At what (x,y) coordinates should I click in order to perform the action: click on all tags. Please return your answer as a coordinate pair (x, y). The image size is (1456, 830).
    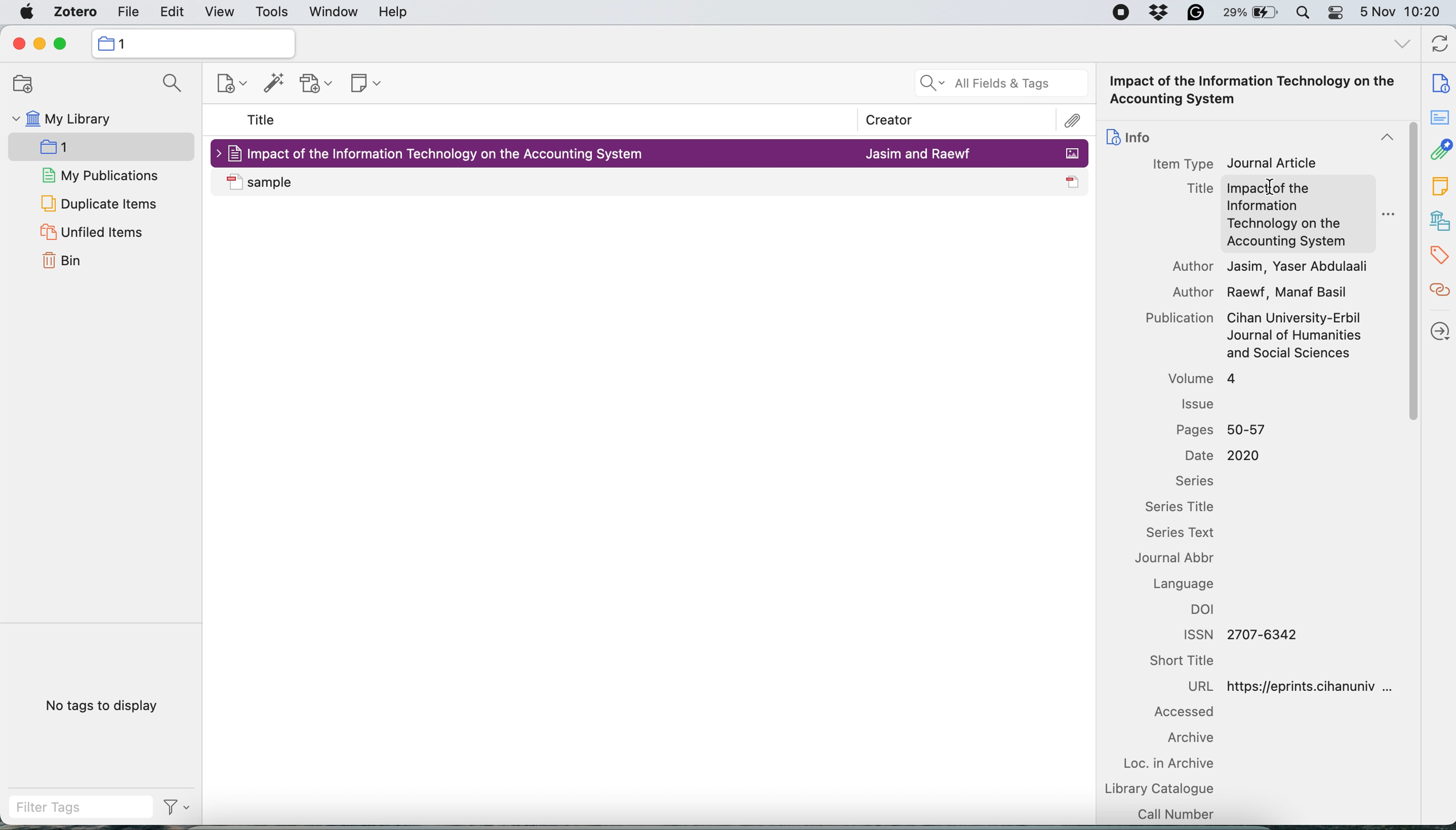
    Looking at the image, I should click on (1401, 44).